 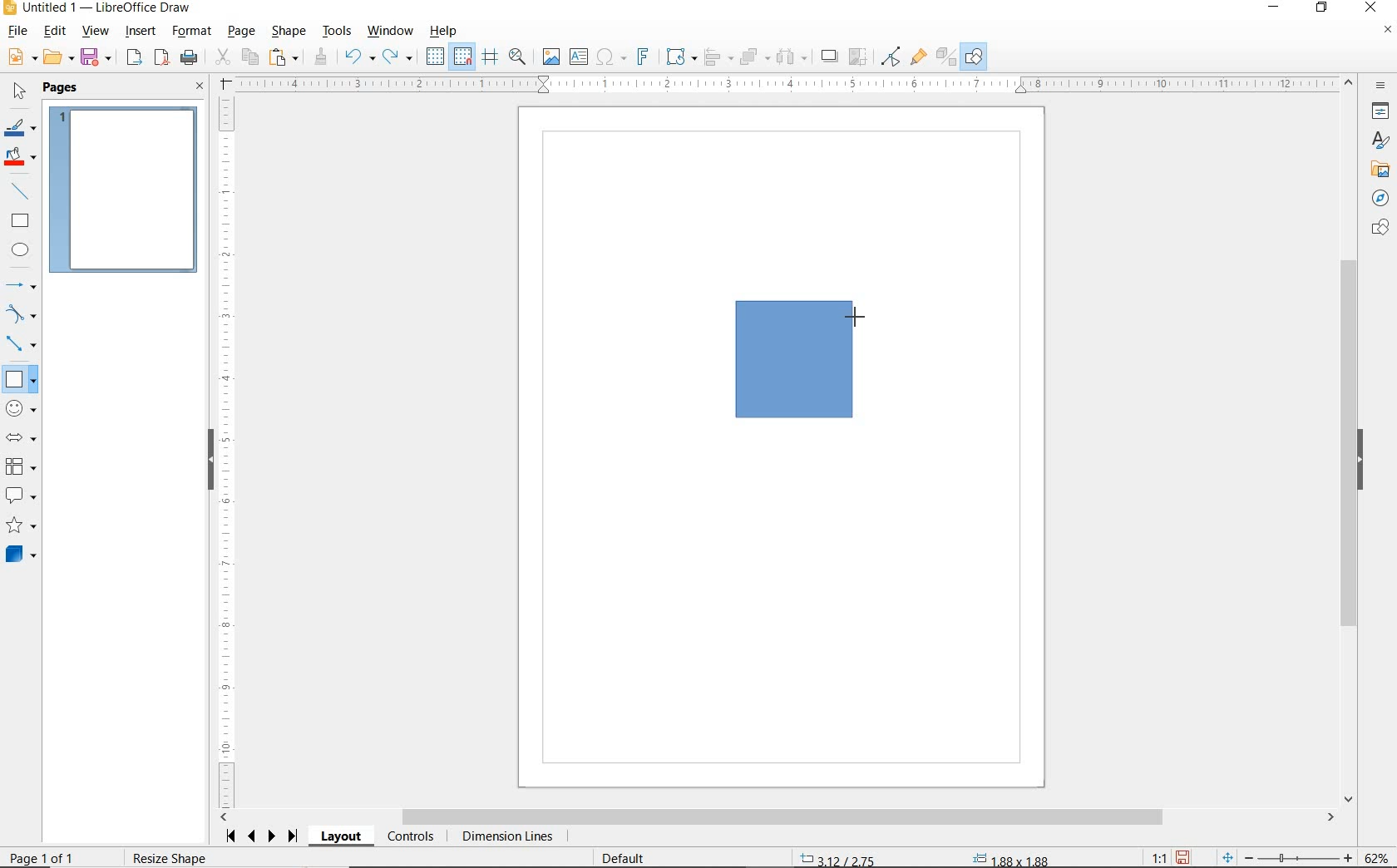 I want to click on LINES AND ARROWS, so click(x=22, y=285).